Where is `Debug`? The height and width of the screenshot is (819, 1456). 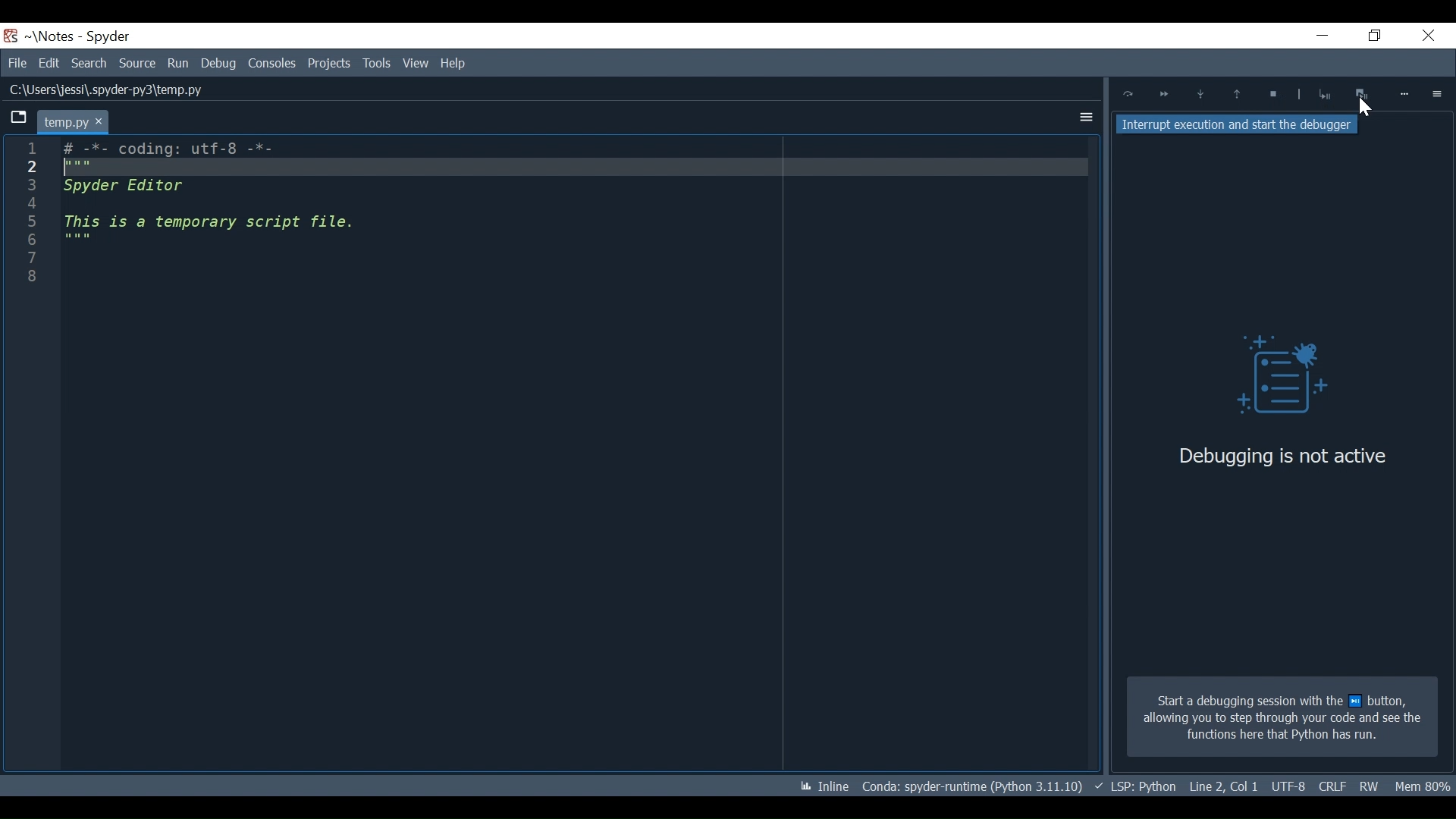
Debug is located at coordinates (1270, 378).